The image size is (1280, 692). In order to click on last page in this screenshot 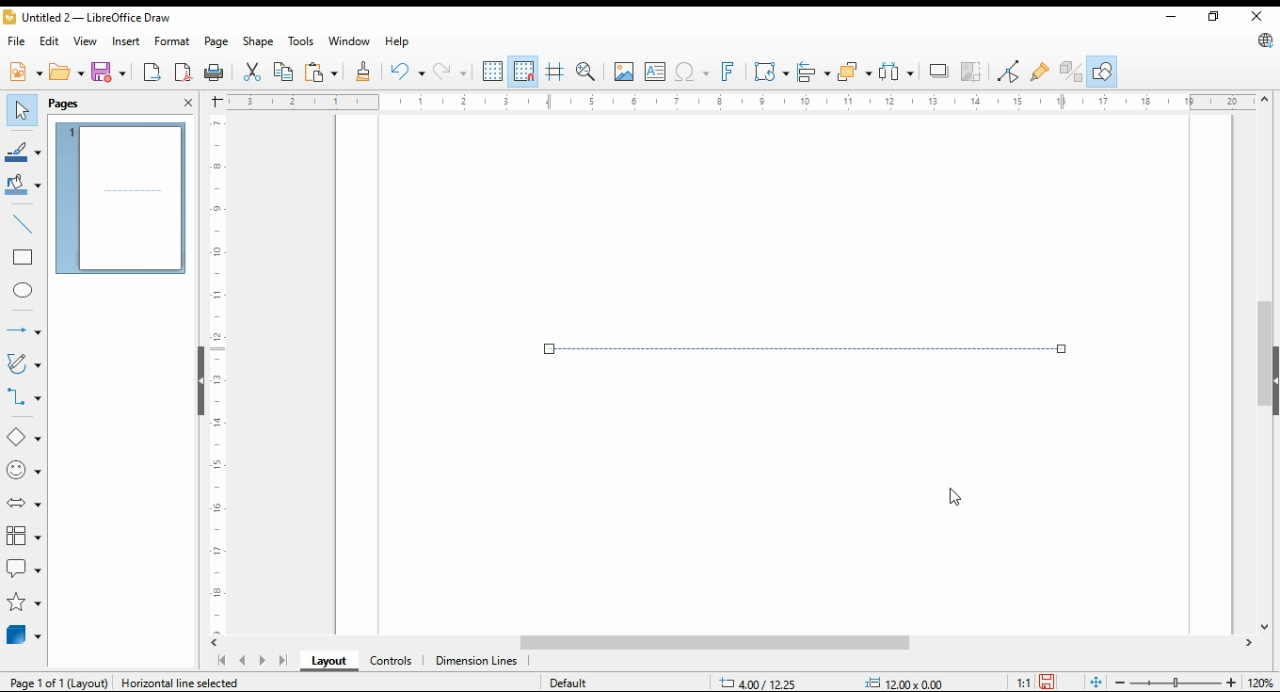, I will do `click(282, 662)`.